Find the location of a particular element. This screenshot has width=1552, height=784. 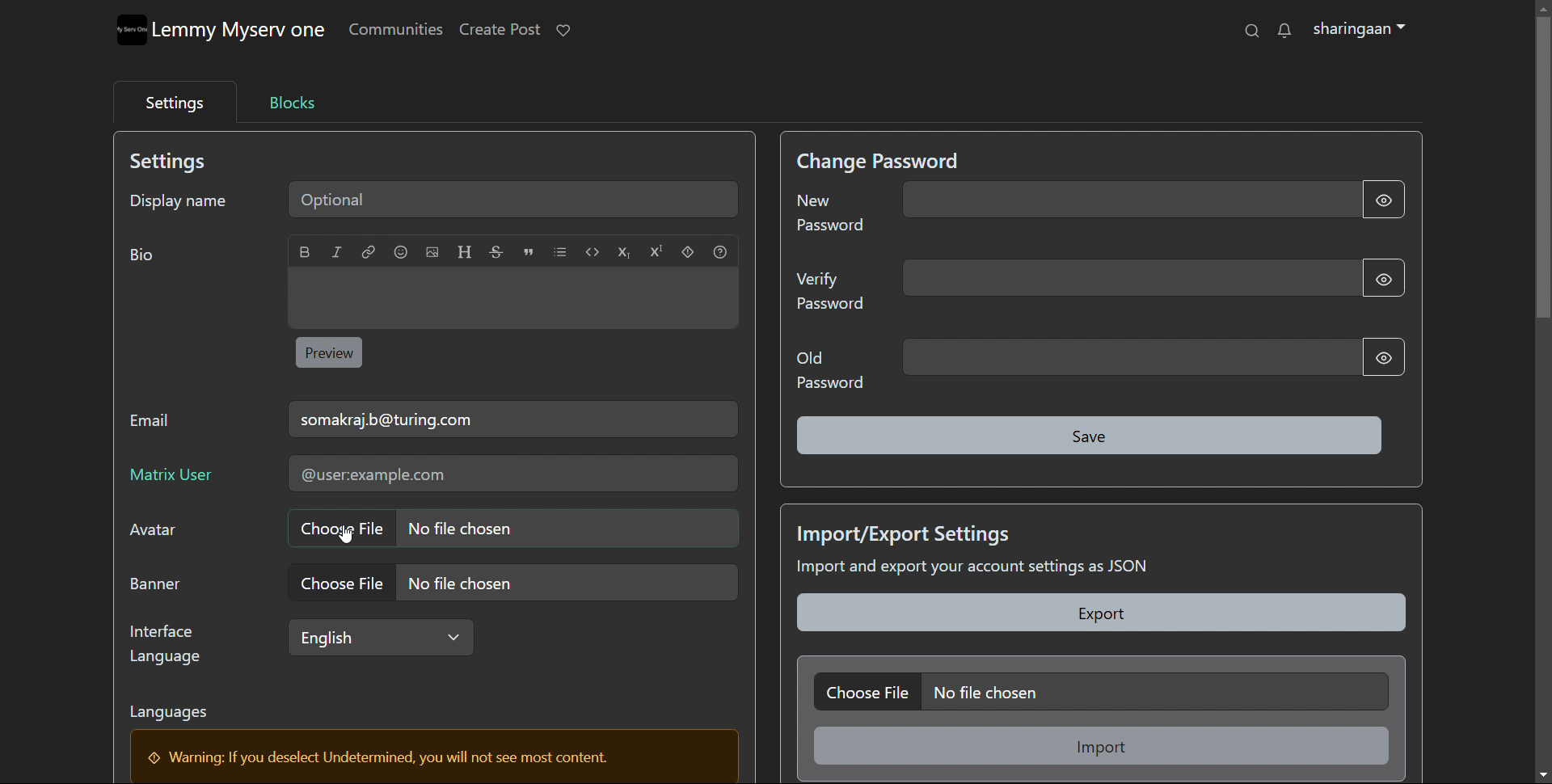

new password is located at coordinates (1129, 200).